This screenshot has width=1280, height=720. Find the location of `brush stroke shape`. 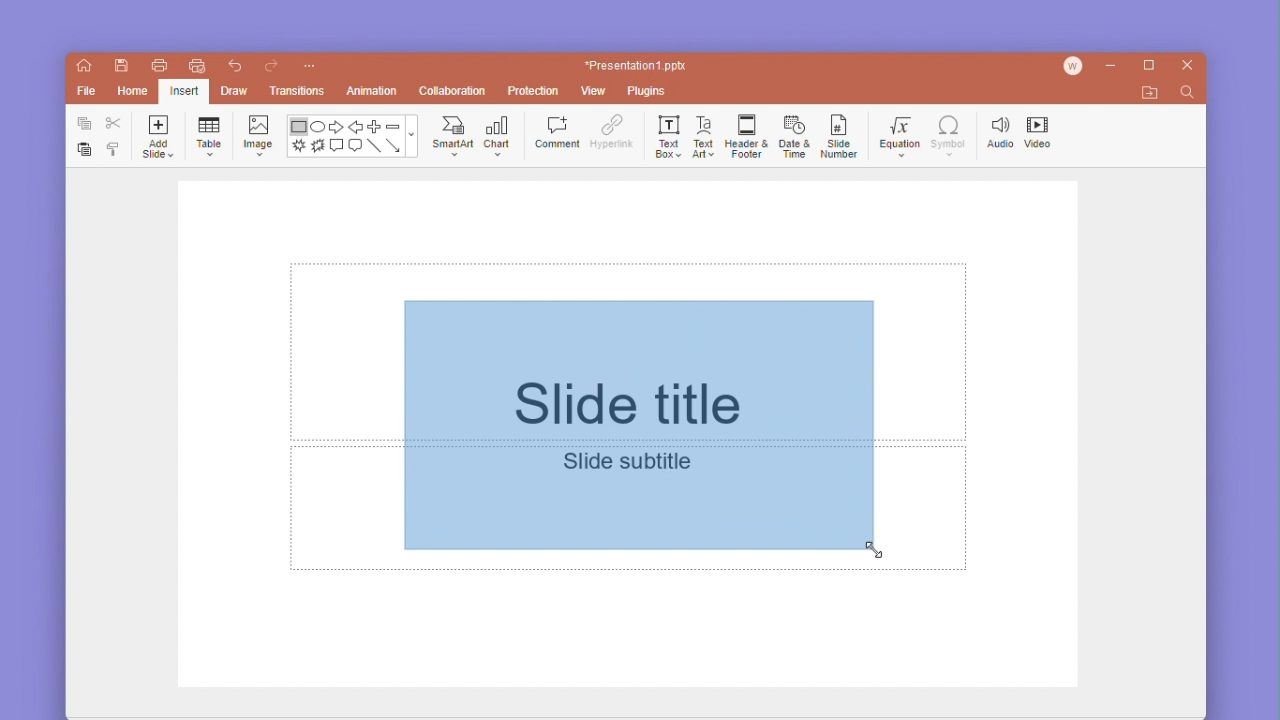

brush stroke shape is located at coordinates (299, 147).